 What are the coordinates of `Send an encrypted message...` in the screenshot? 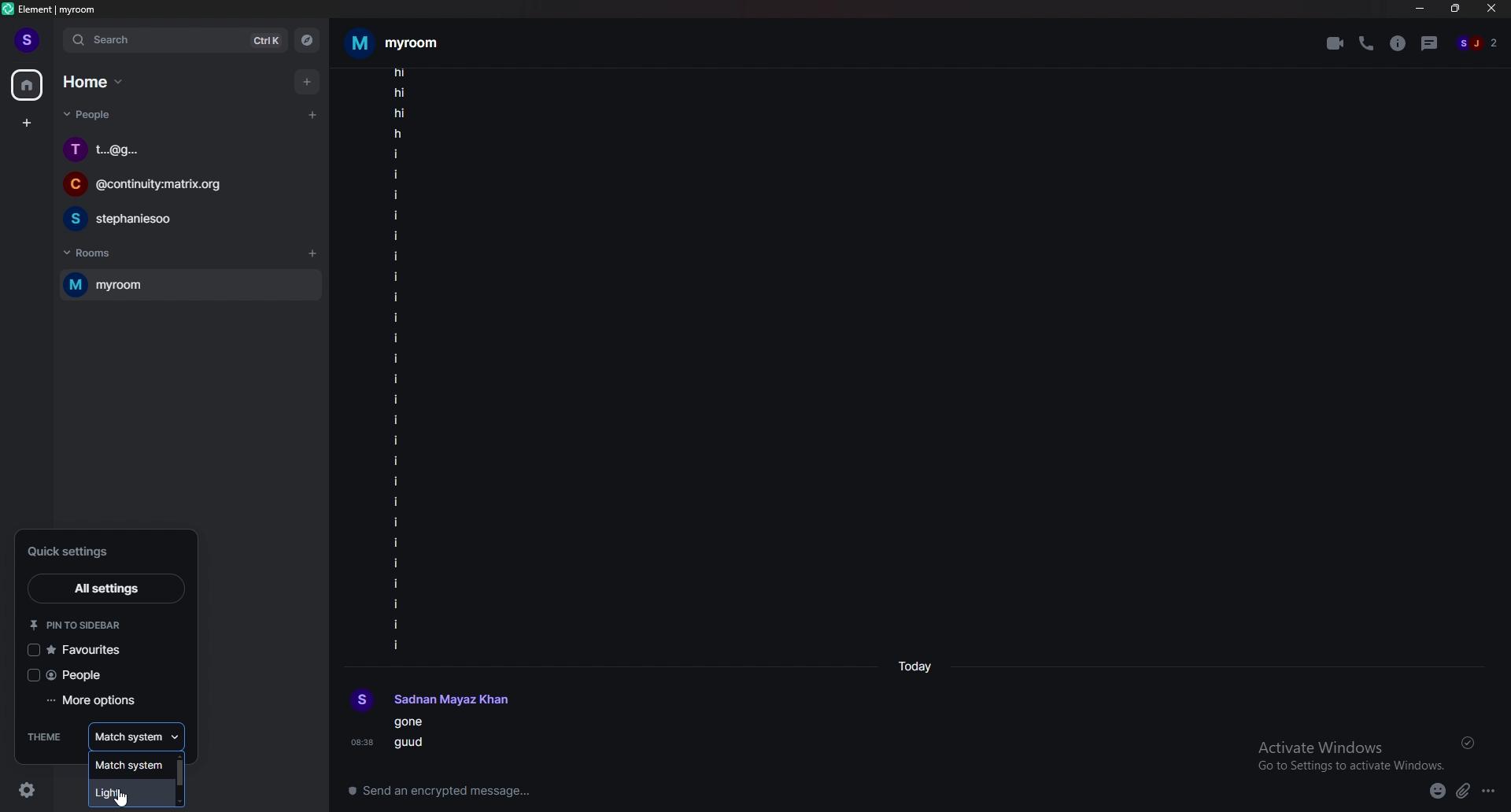 It's located at (451, 793).